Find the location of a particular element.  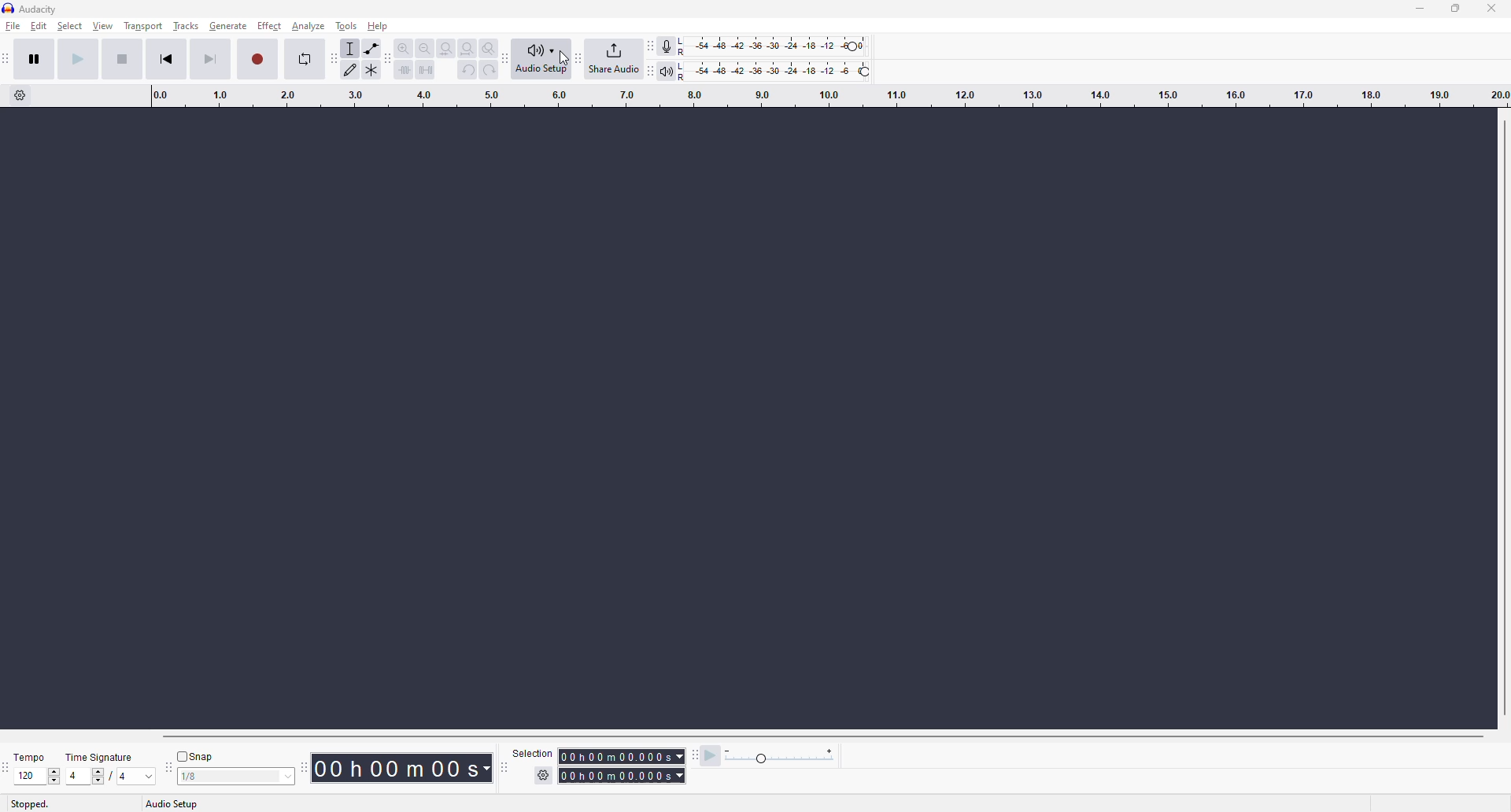

play at speed is located at coordinates (707, 764).